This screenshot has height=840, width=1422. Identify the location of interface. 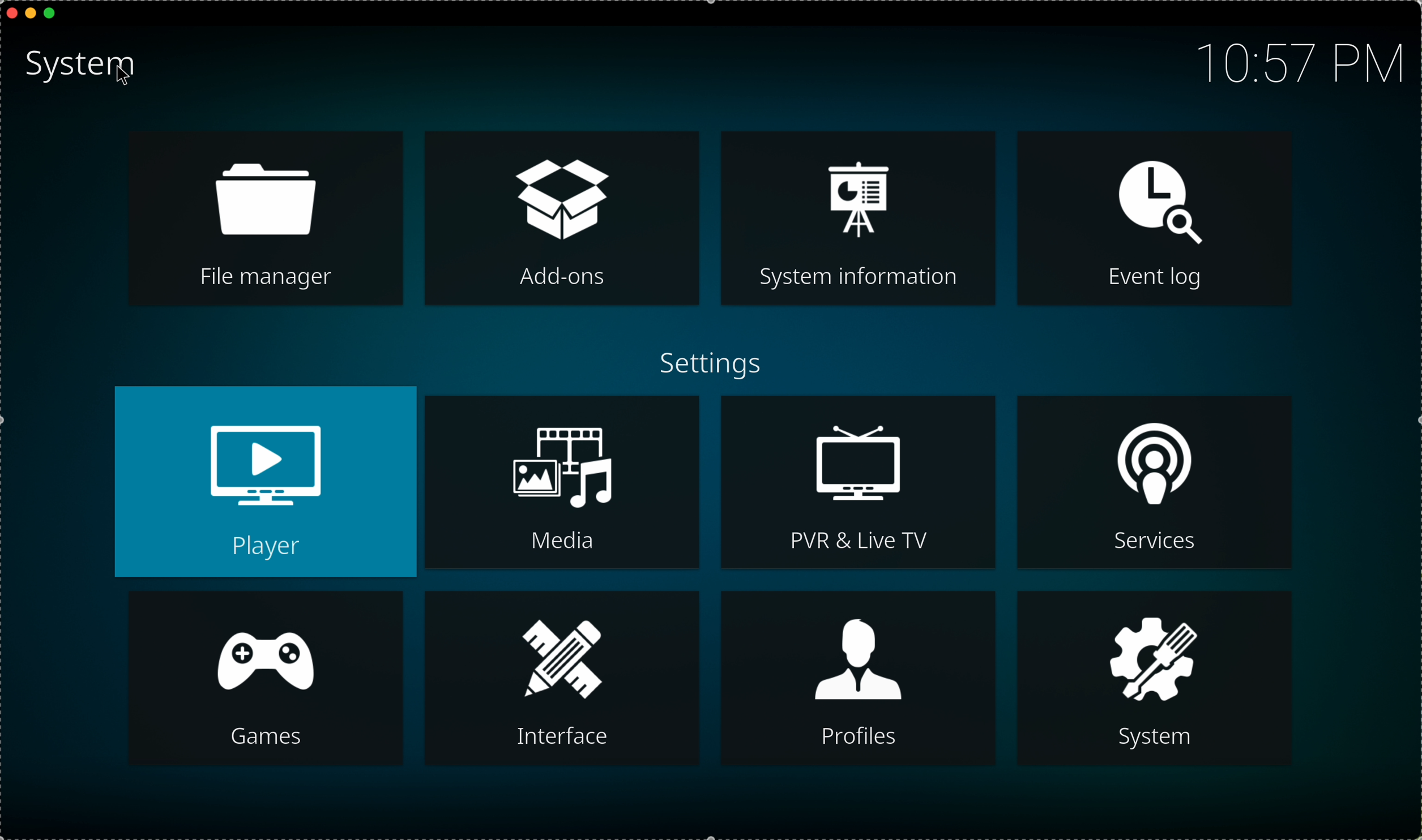
(559, 679).